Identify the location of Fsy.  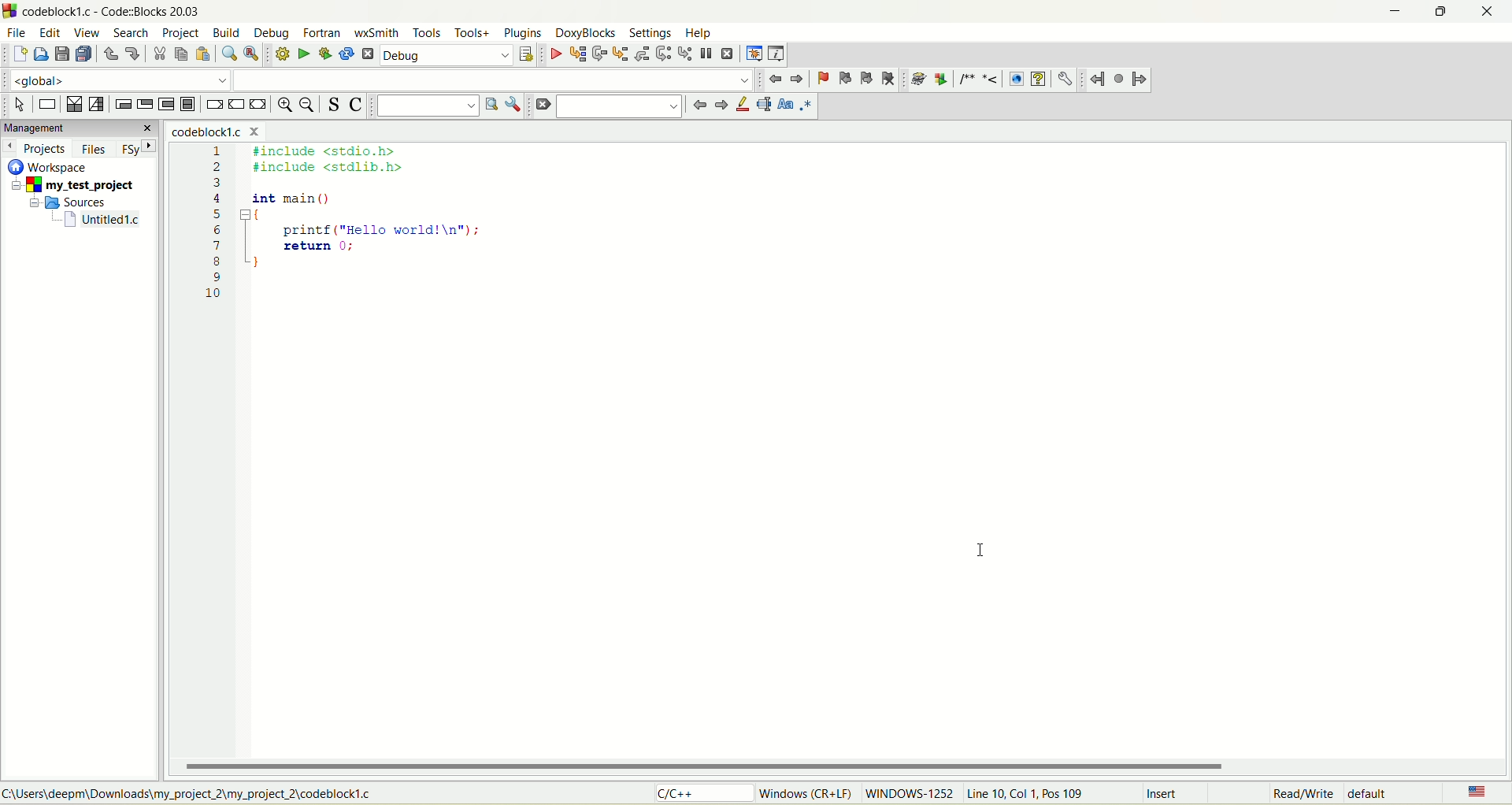
(138, 147).